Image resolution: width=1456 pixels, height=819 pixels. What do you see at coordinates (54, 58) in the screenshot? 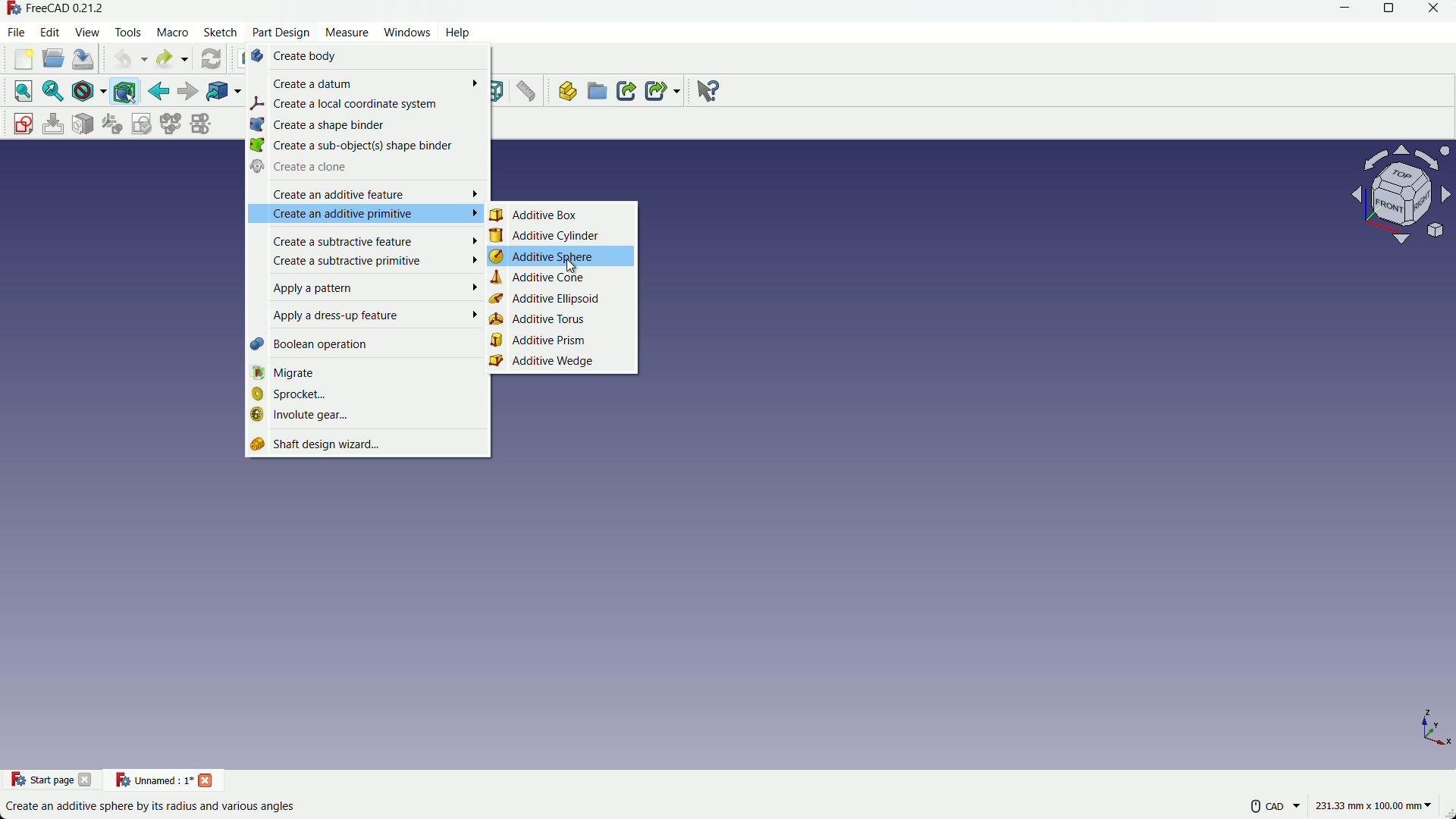
I see `open file` at bounding box center [54, 58].